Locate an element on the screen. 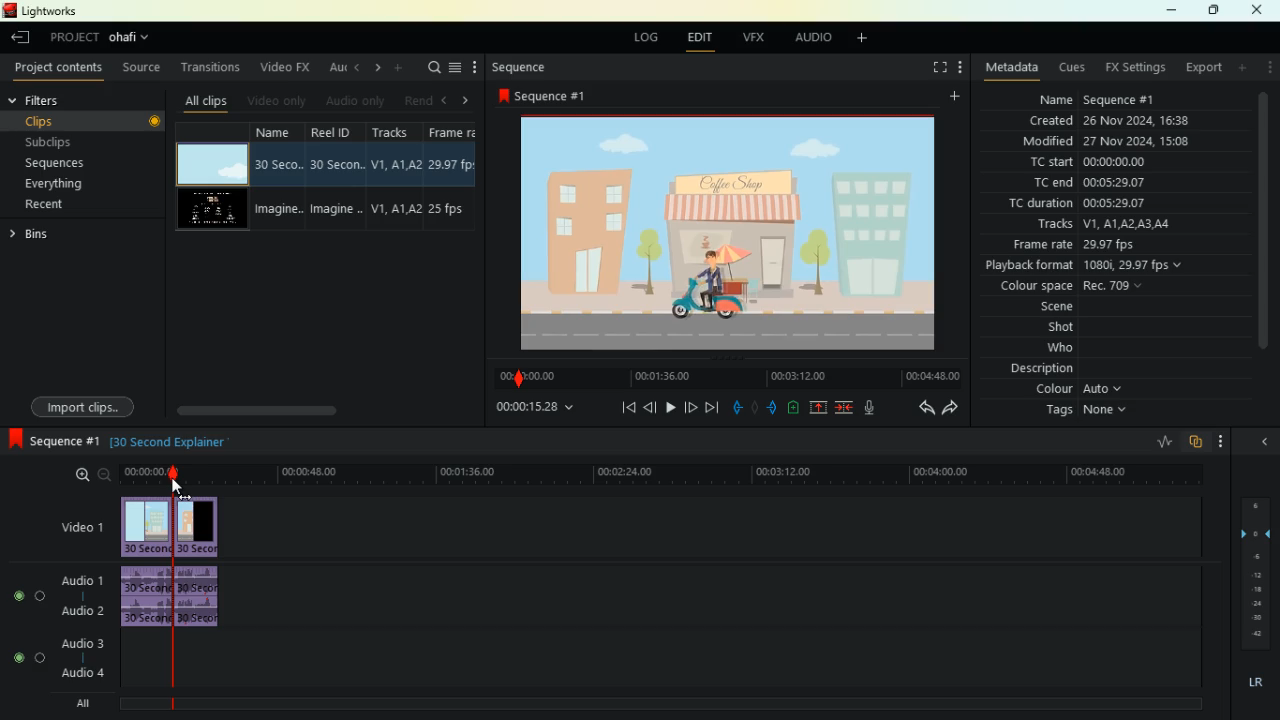  back is located at coordinates (22, 39).